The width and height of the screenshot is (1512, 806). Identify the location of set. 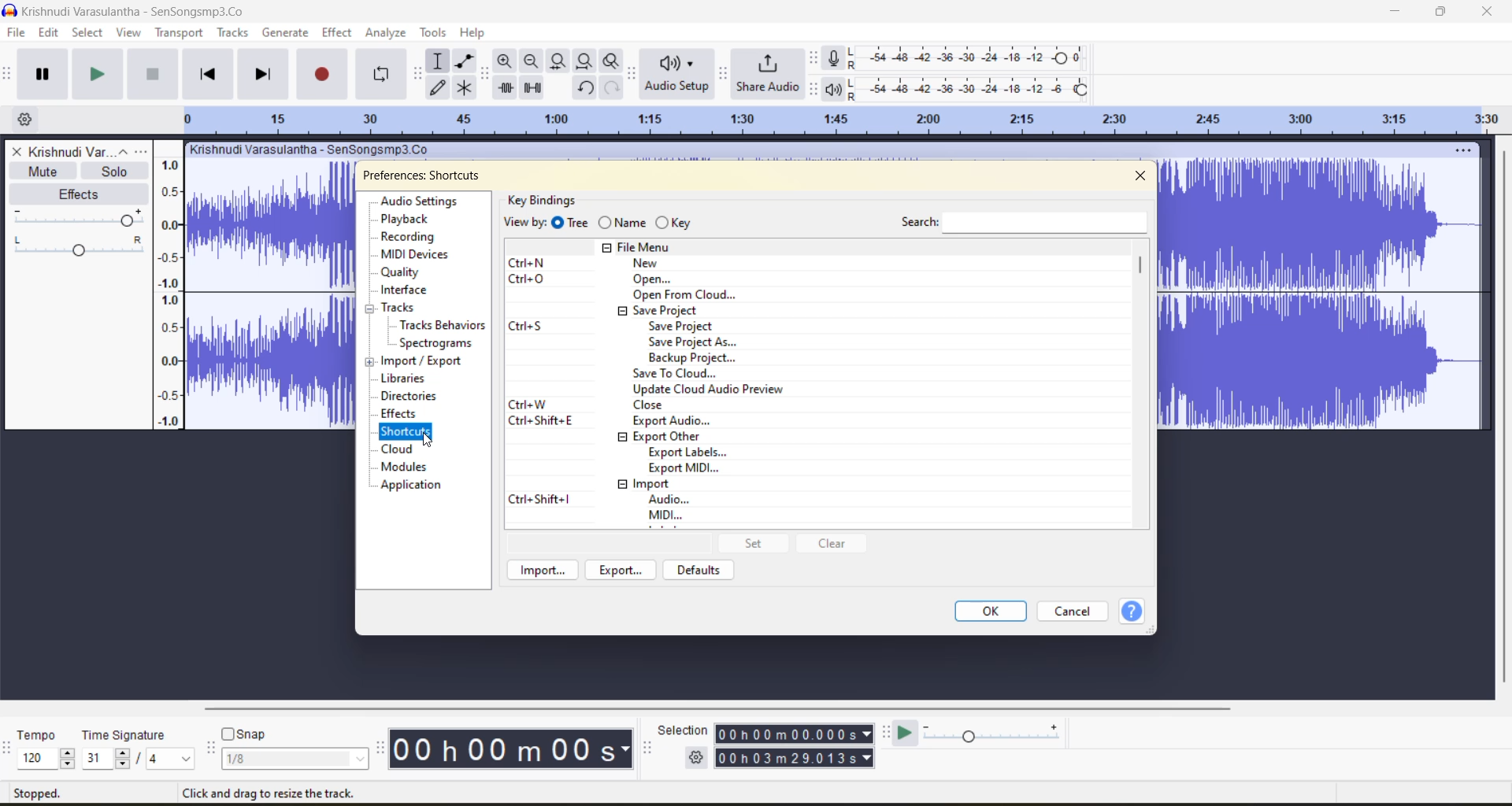
(758, 544).